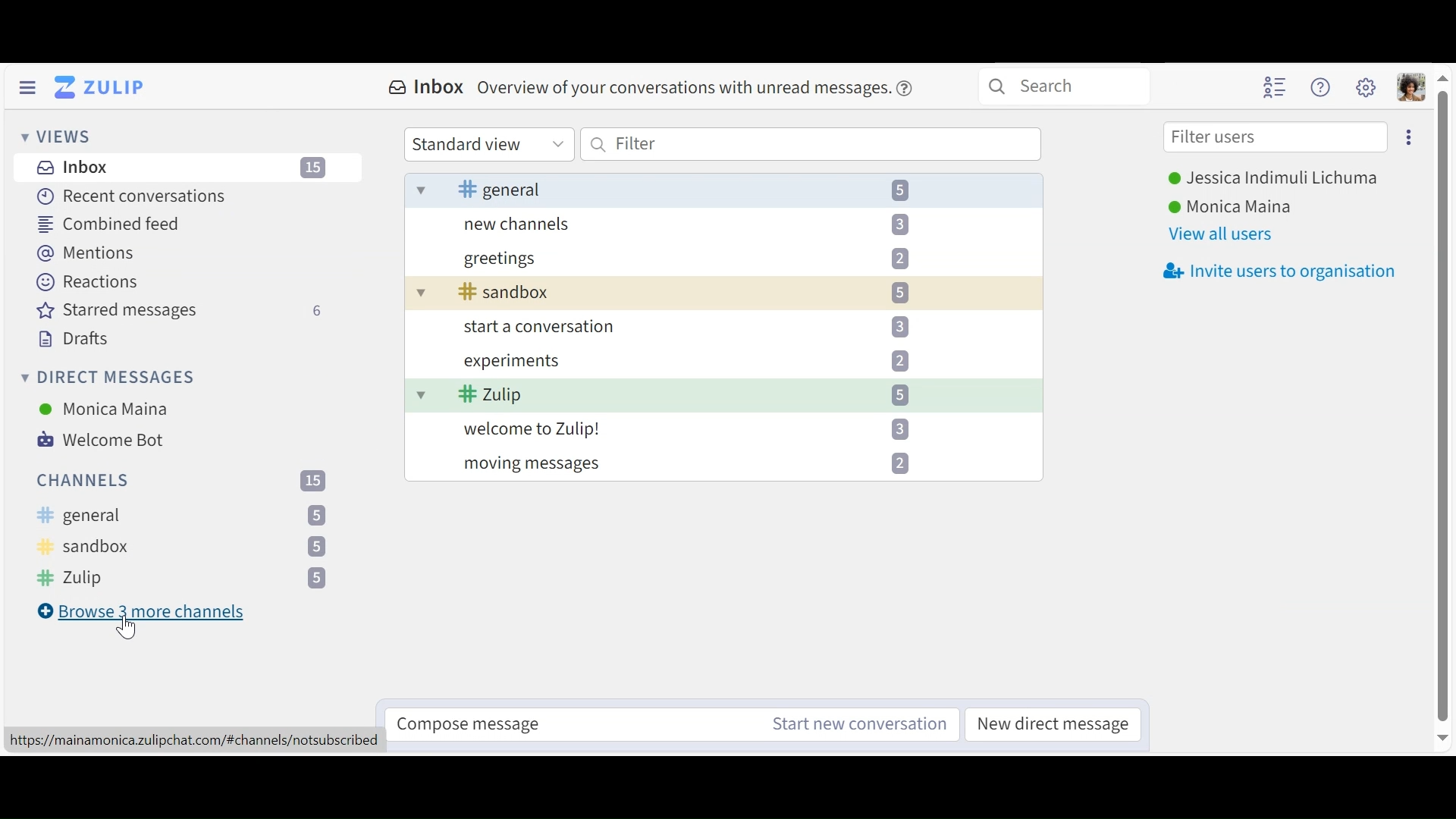 Image resolution: width=1456 pixels, height=819 pixels. What do you see at coordinates (89, 253) in the screenshot?
I see `Mentions` at bounding box center [89, 253].